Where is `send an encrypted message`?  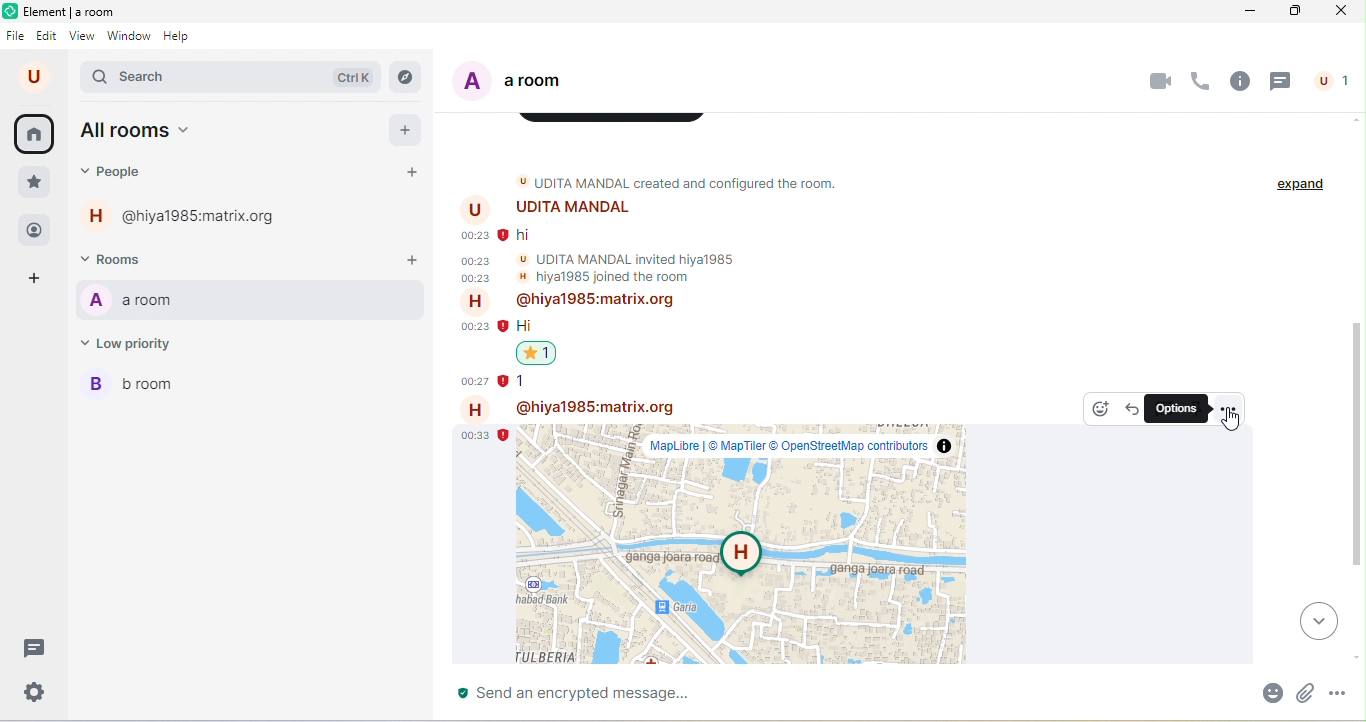
send an encrypted message is located at coordinates (588, 697).